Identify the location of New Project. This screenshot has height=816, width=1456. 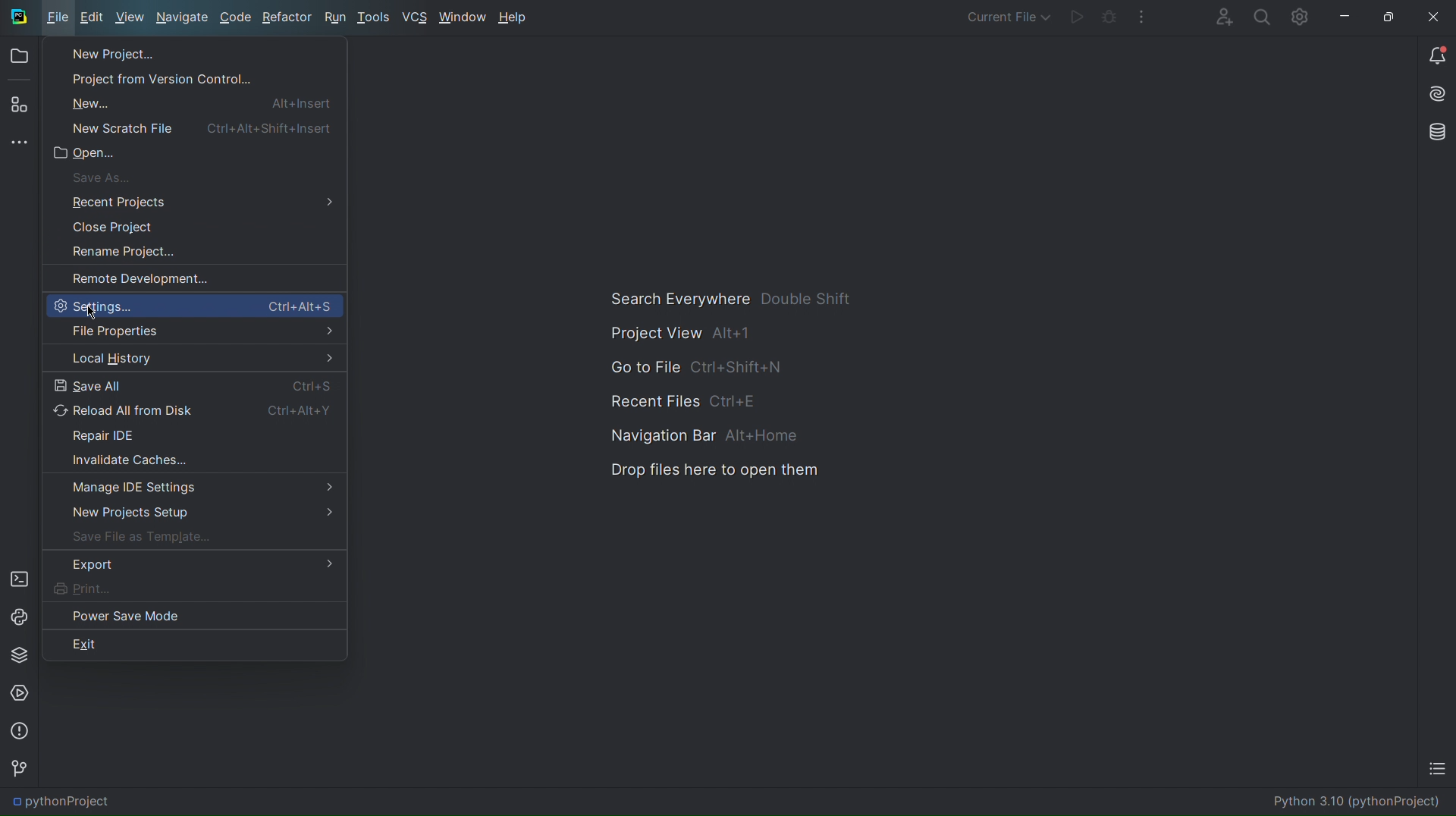
(111, 54).